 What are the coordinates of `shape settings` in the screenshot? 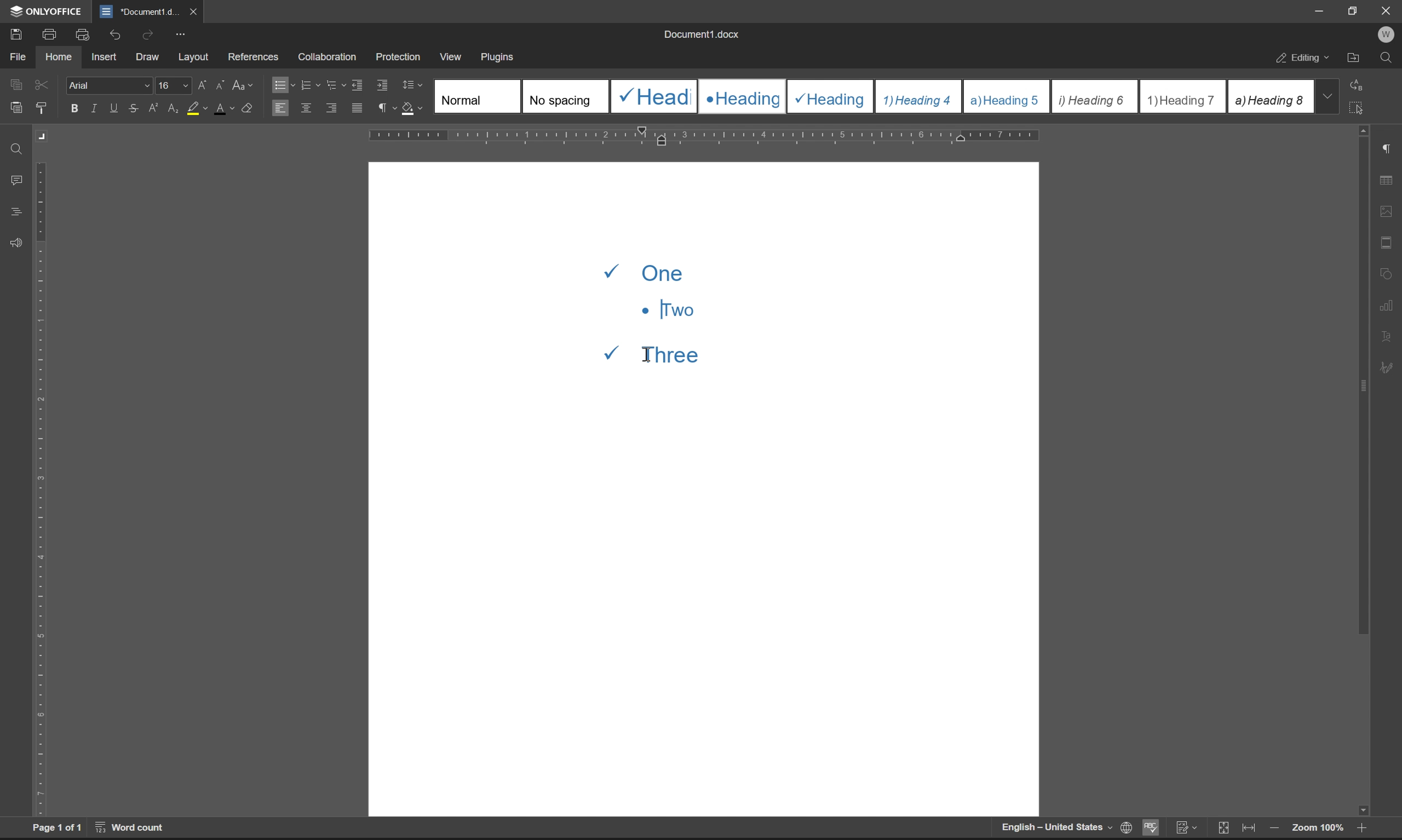 It's located at (1386, 271).